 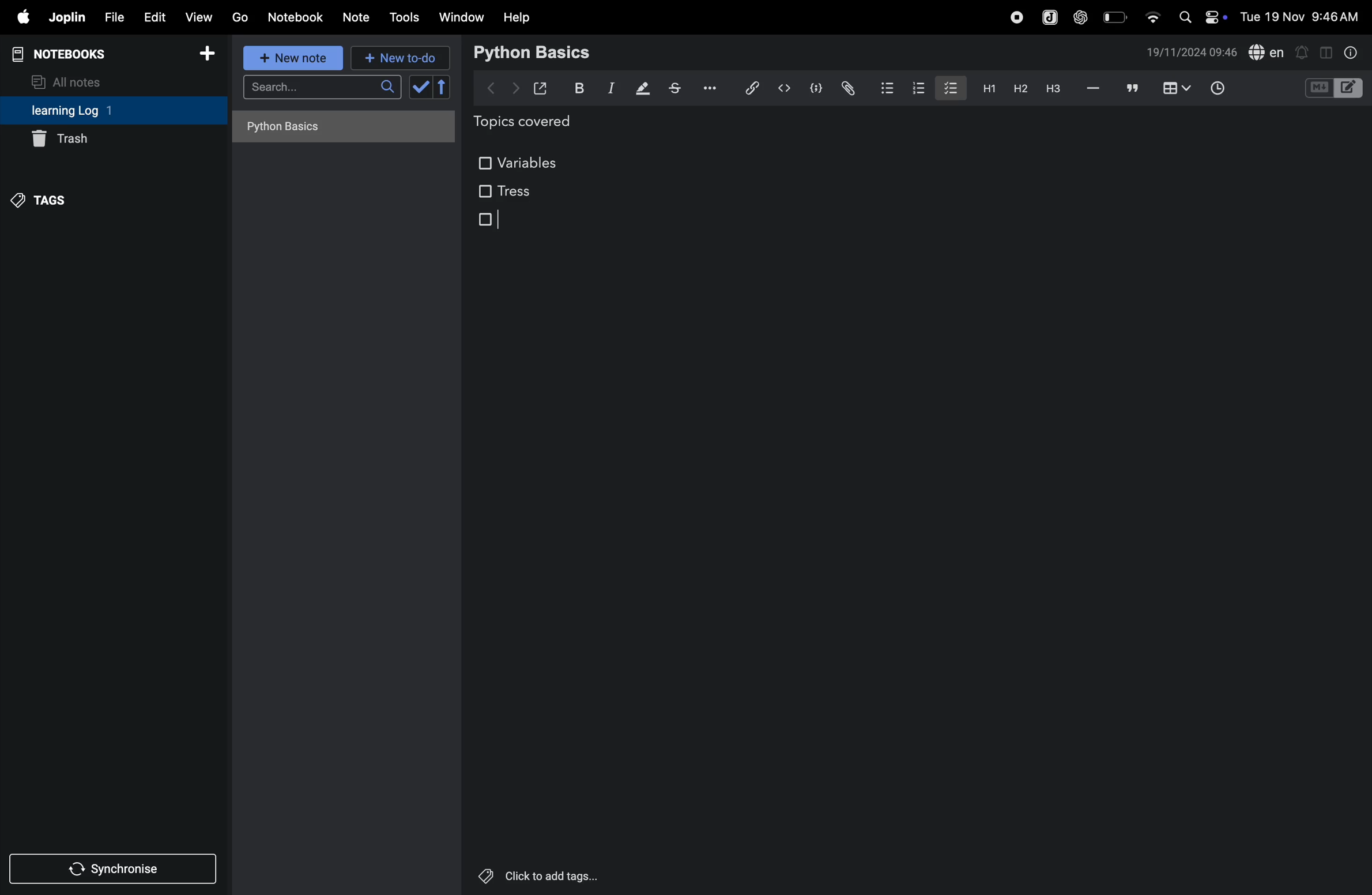 I want to click on search, so click(x=322, y=91).